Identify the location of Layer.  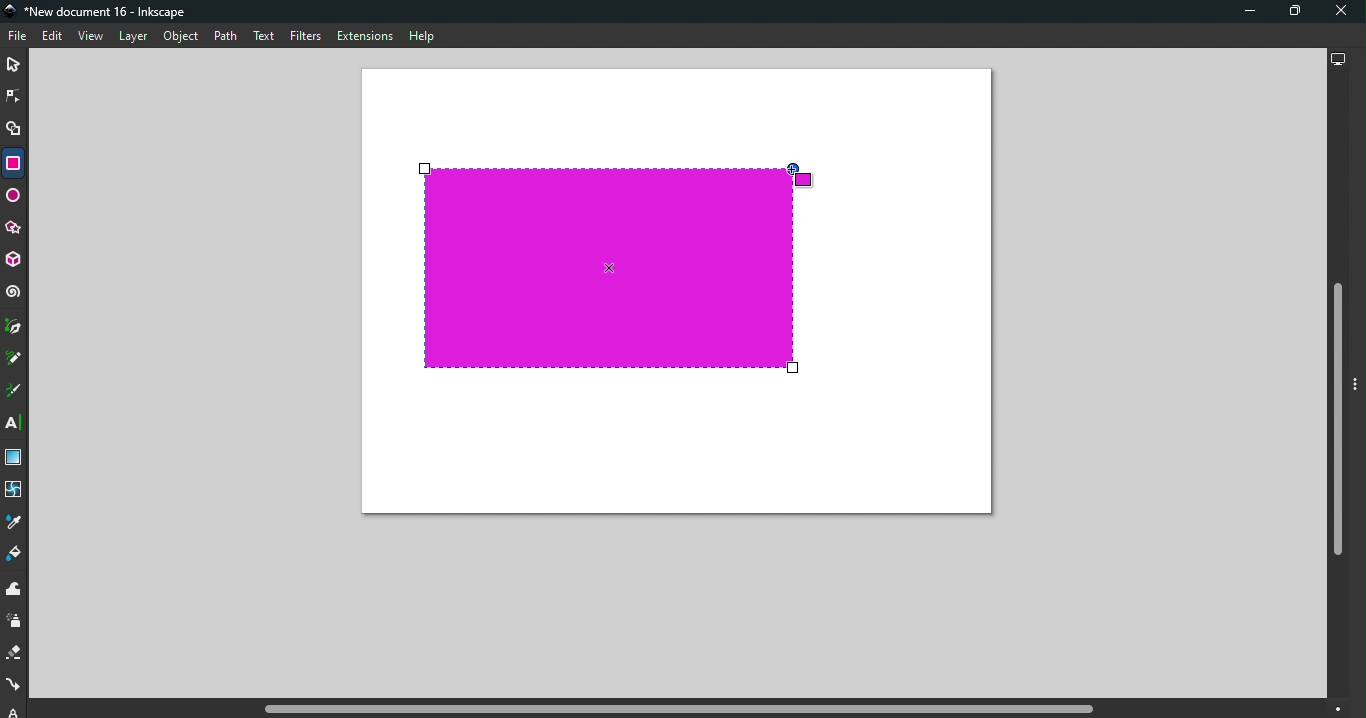
(133, 38).